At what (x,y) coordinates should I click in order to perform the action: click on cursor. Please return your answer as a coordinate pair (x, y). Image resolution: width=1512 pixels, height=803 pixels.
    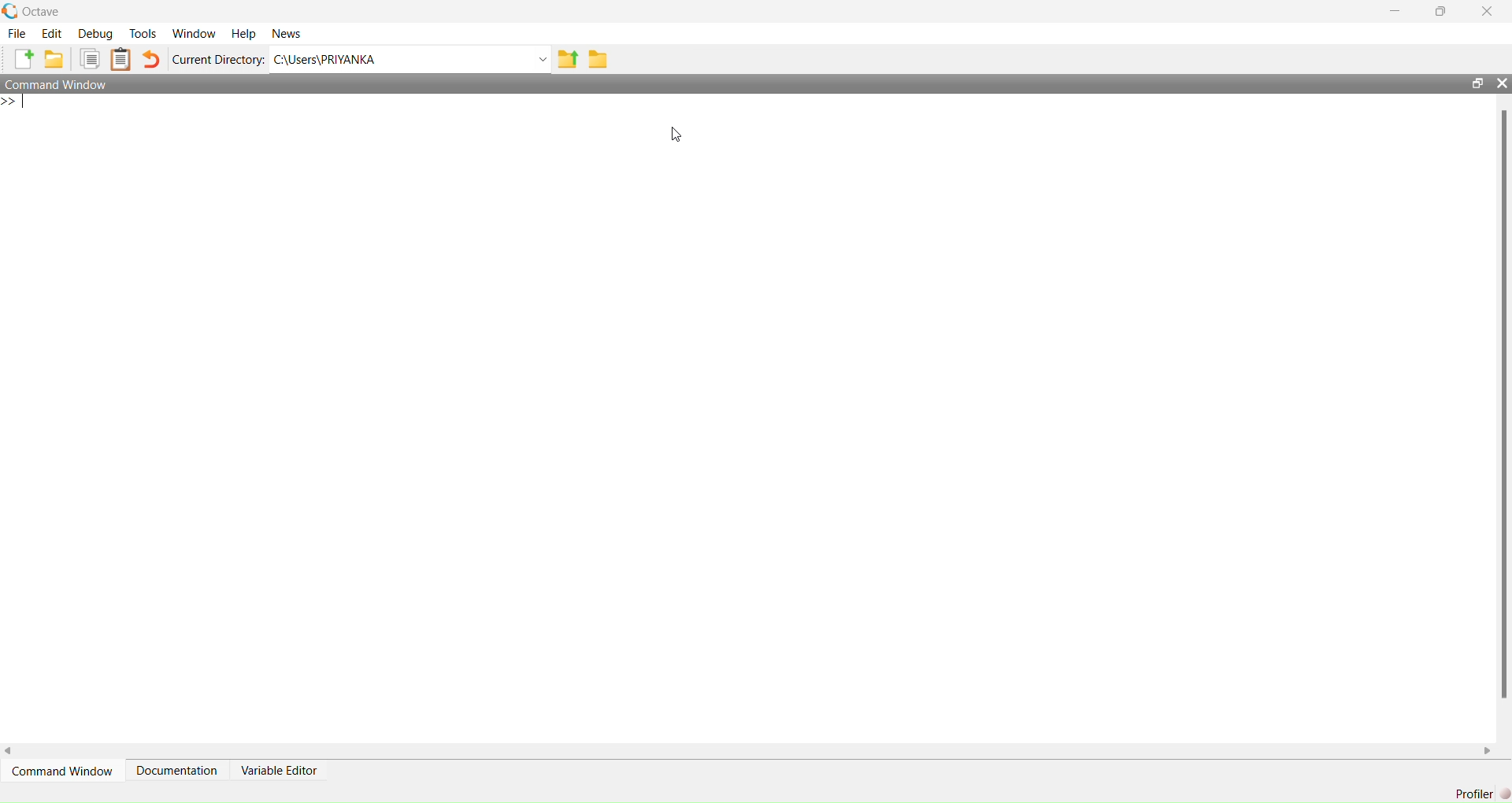
    Looking at the image, I should click on (676, 136).